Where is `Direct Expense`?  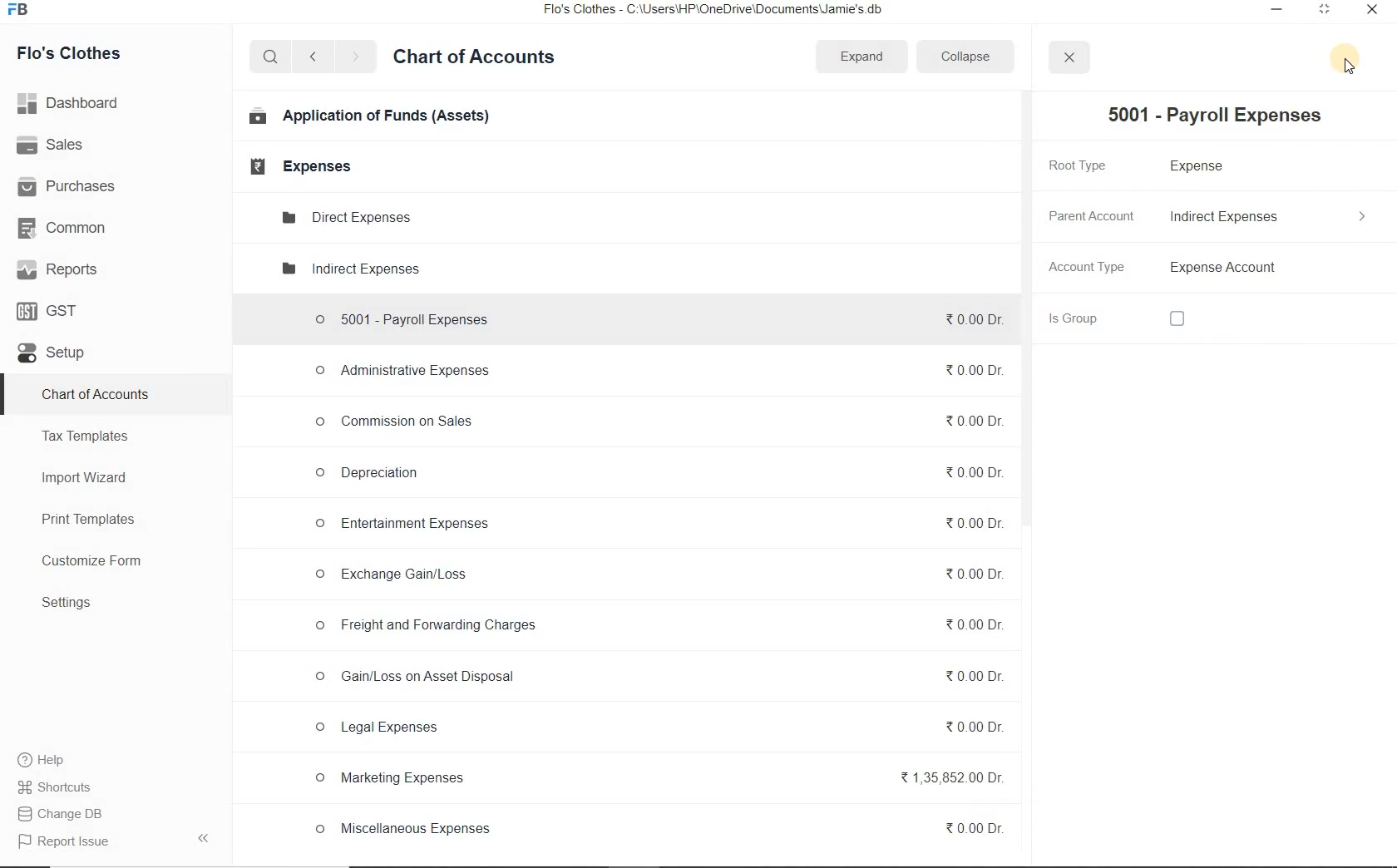
Direct Expense is located at coordinates (344, 216).